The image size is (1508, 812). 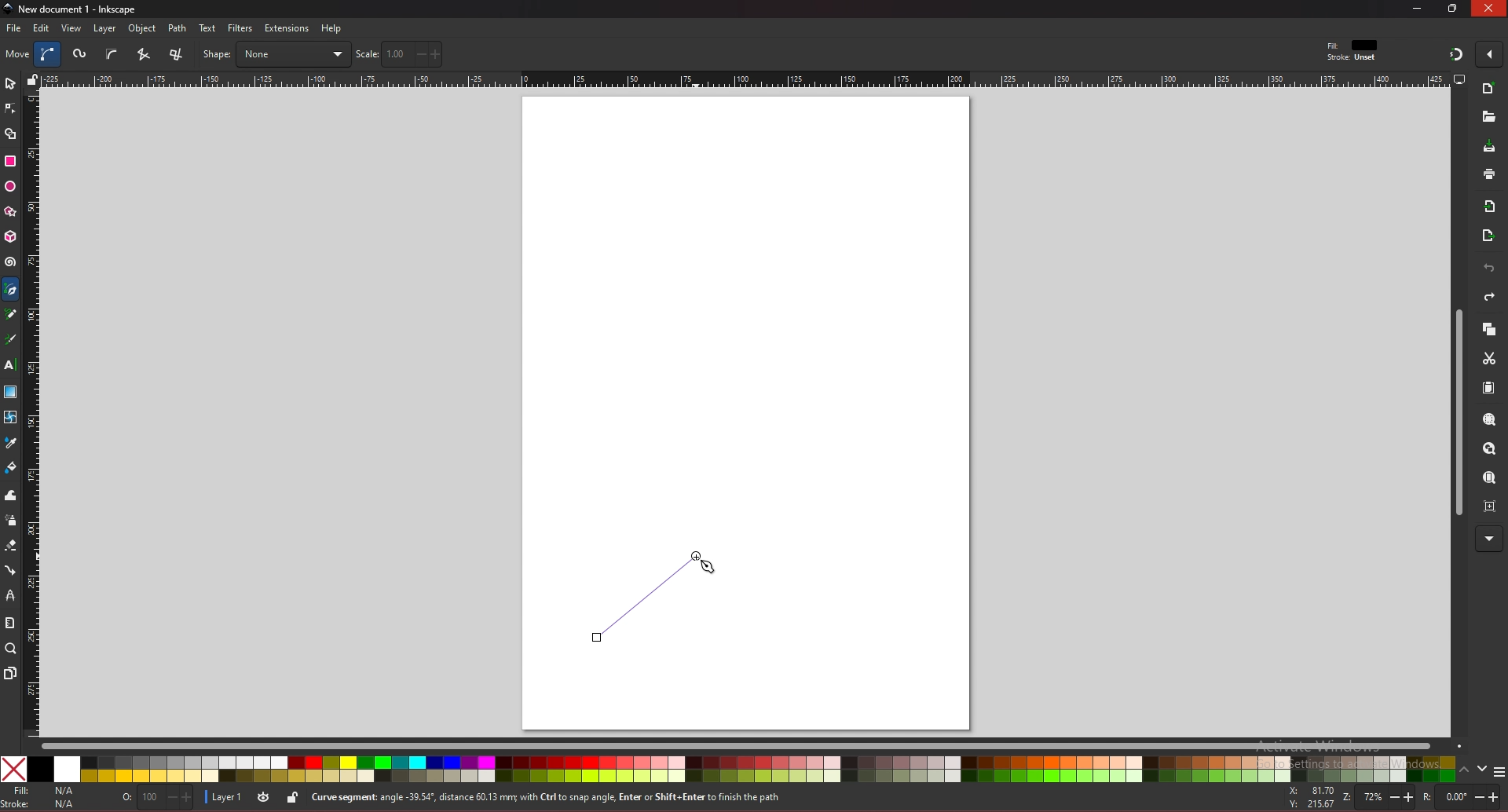 What do you see at coordinates (1459, 797) in the screenshot?
I see `rotate` at bounding box center [1459, 797].